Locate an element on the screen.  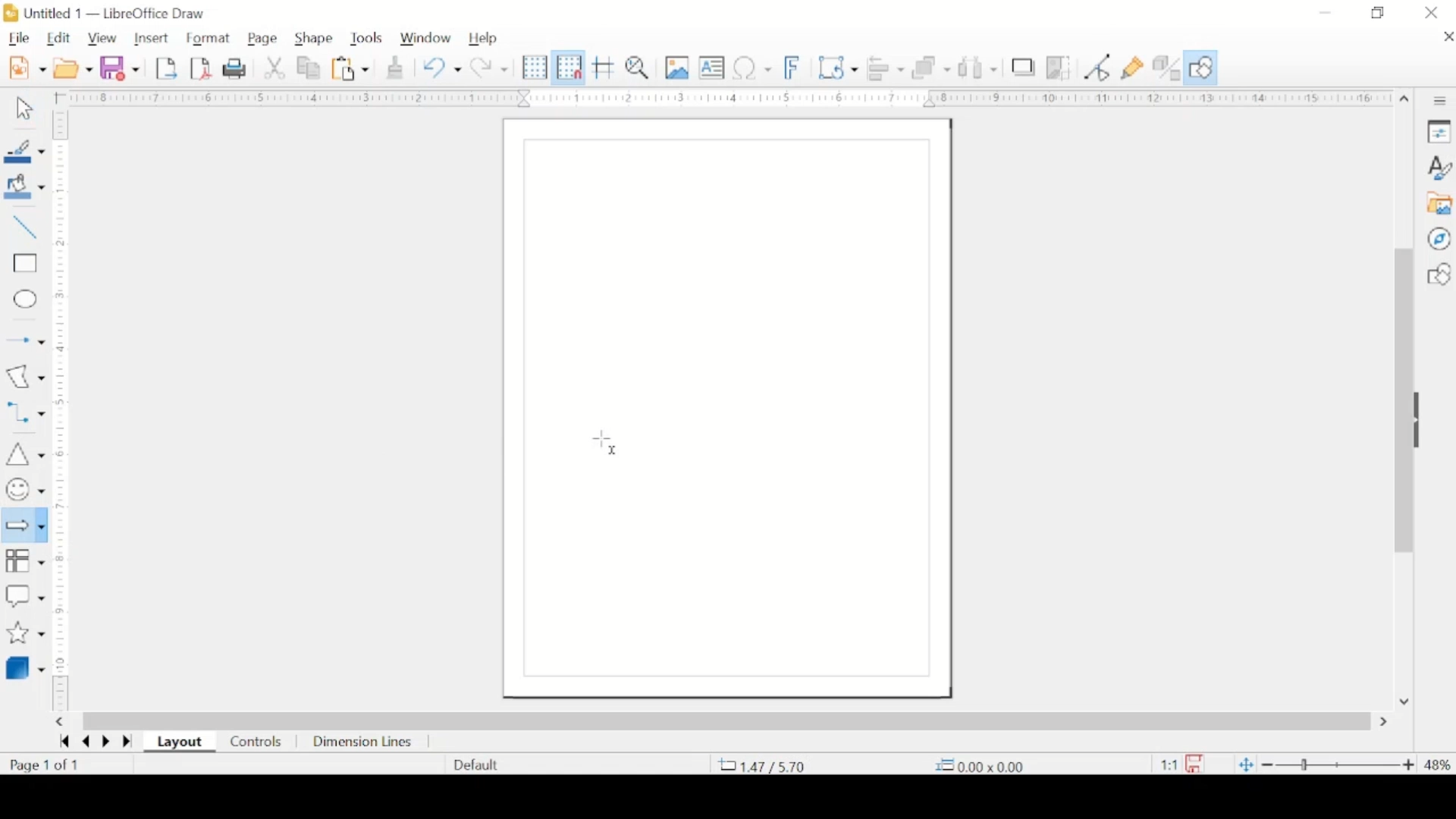
scroll down arrow is located at coordinates (1404, 702).